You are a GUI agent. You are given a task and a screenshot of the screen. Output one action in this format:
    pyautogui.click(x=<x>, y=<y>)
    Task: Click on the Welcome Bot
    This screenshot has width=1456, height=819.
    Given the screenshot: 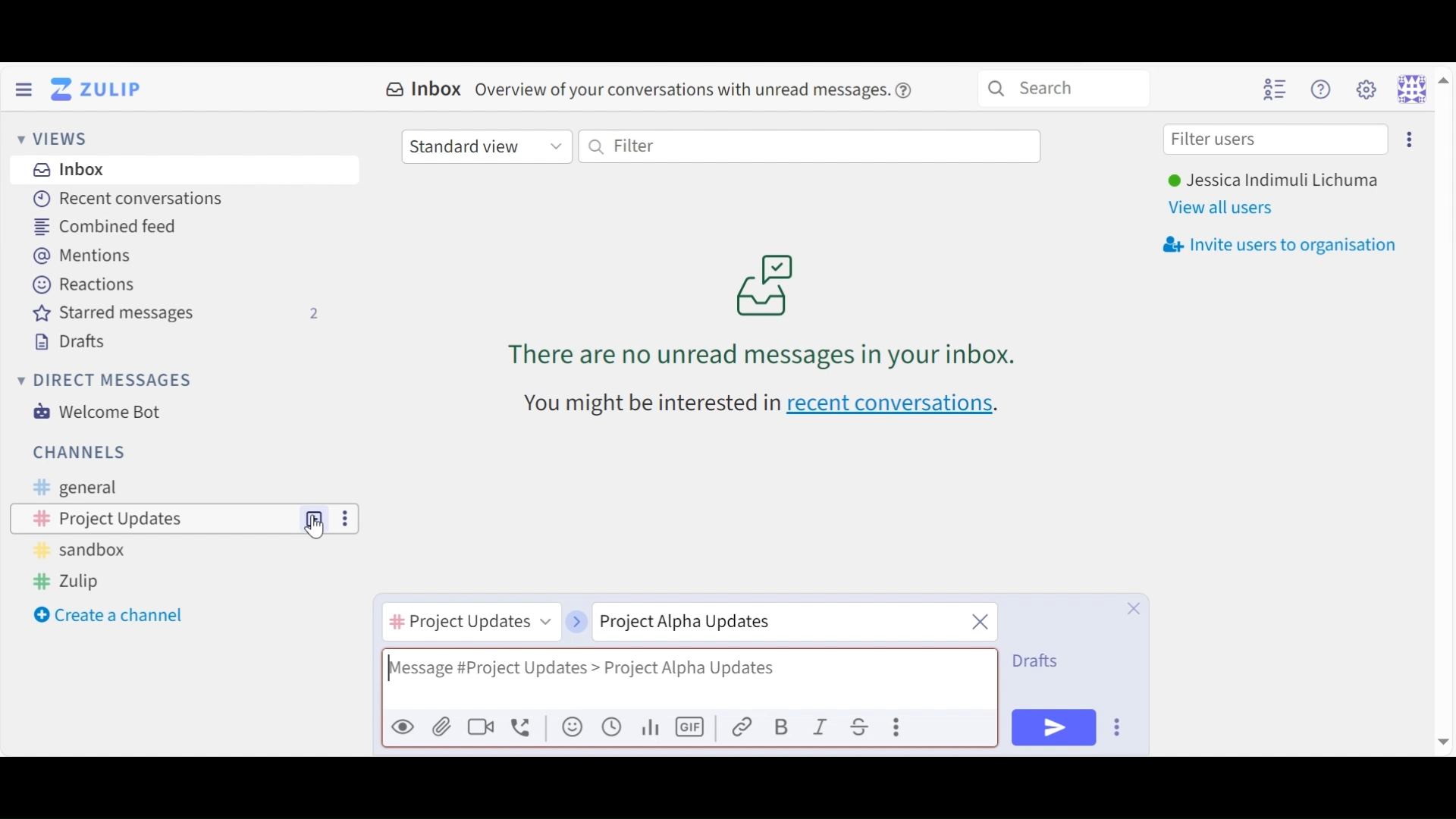 What is the action you would take?
    pyautogui.click(x=102, y=412)
    